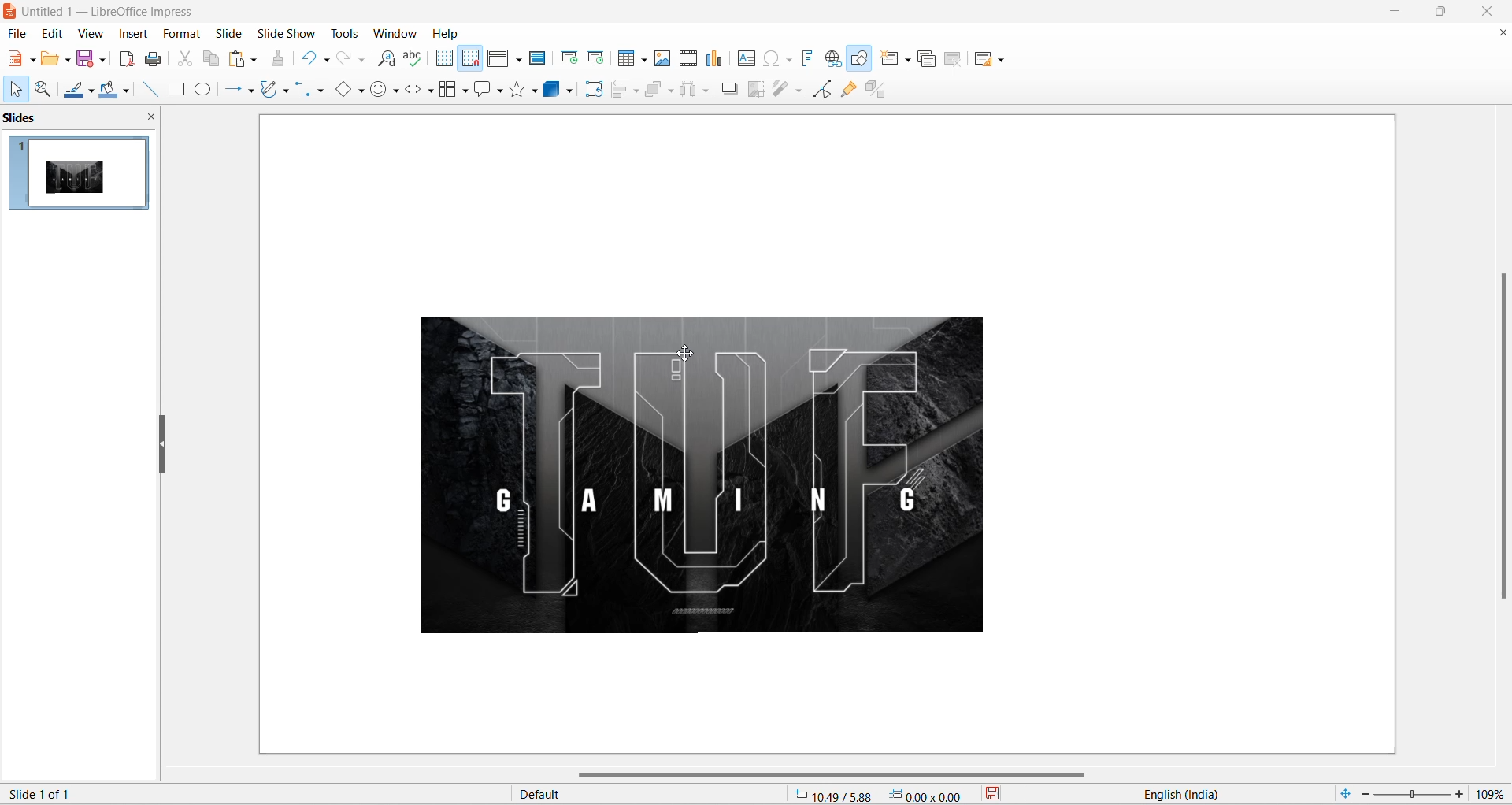 The height and width of the screenshot is (805, 1512). Describe the element at coordinates (83, 118) in the screenshot. I see `slides and close slide` at that location.